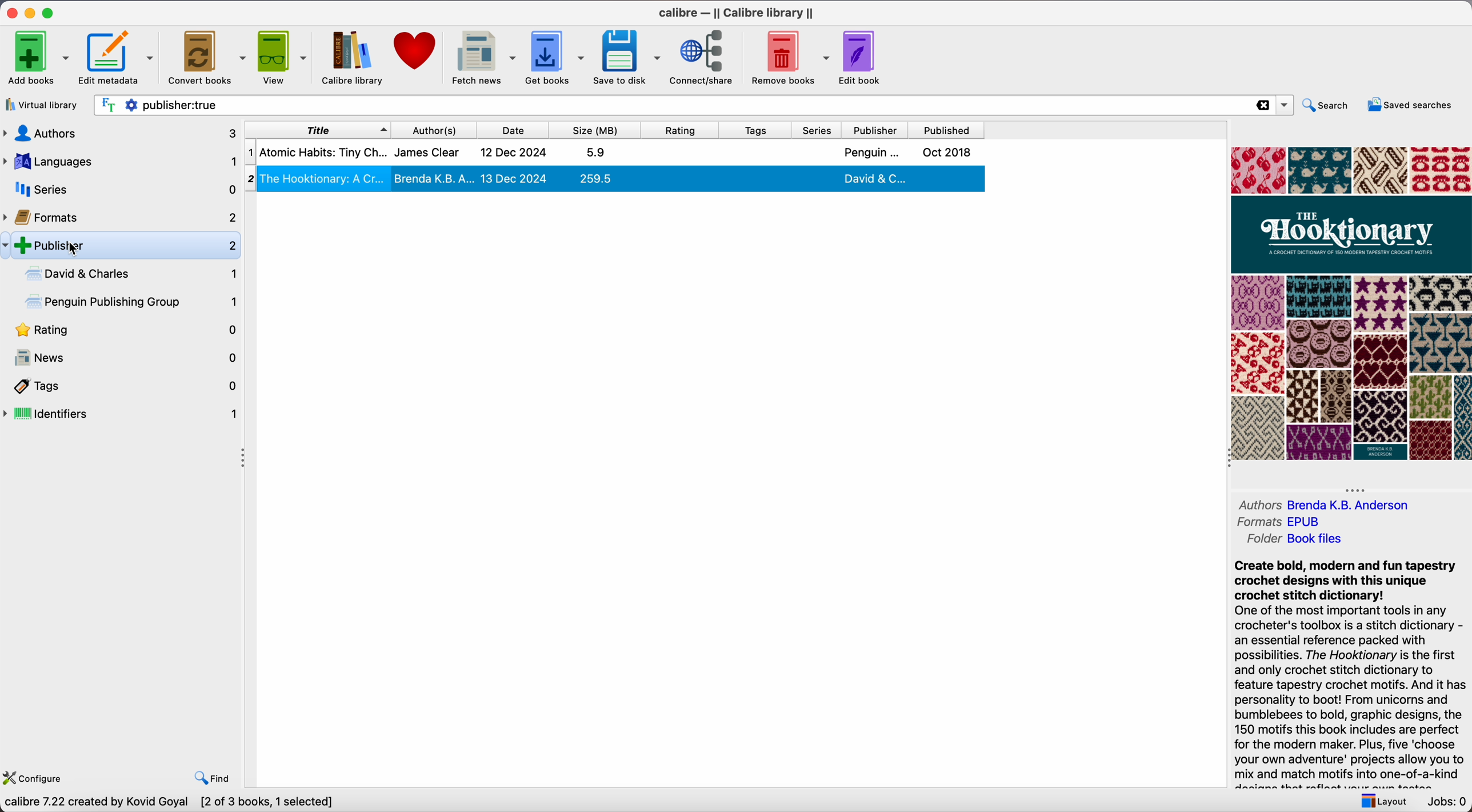  Describe the element at coordinates (317, 129) in the screenshot. I see `title` at that location.